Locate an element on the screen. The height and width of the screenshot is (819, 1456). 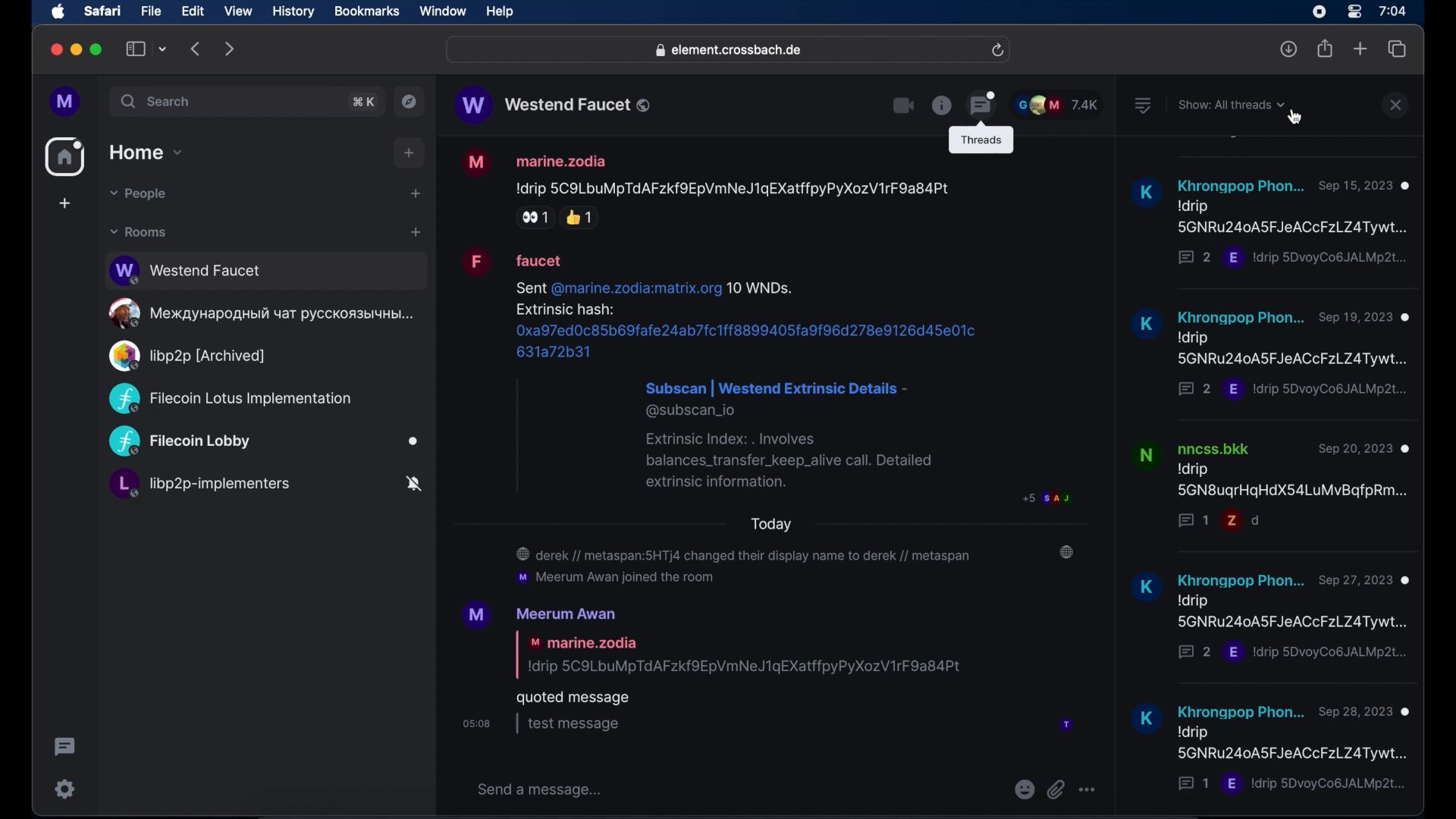
share is located at coordinates (1325, 49).